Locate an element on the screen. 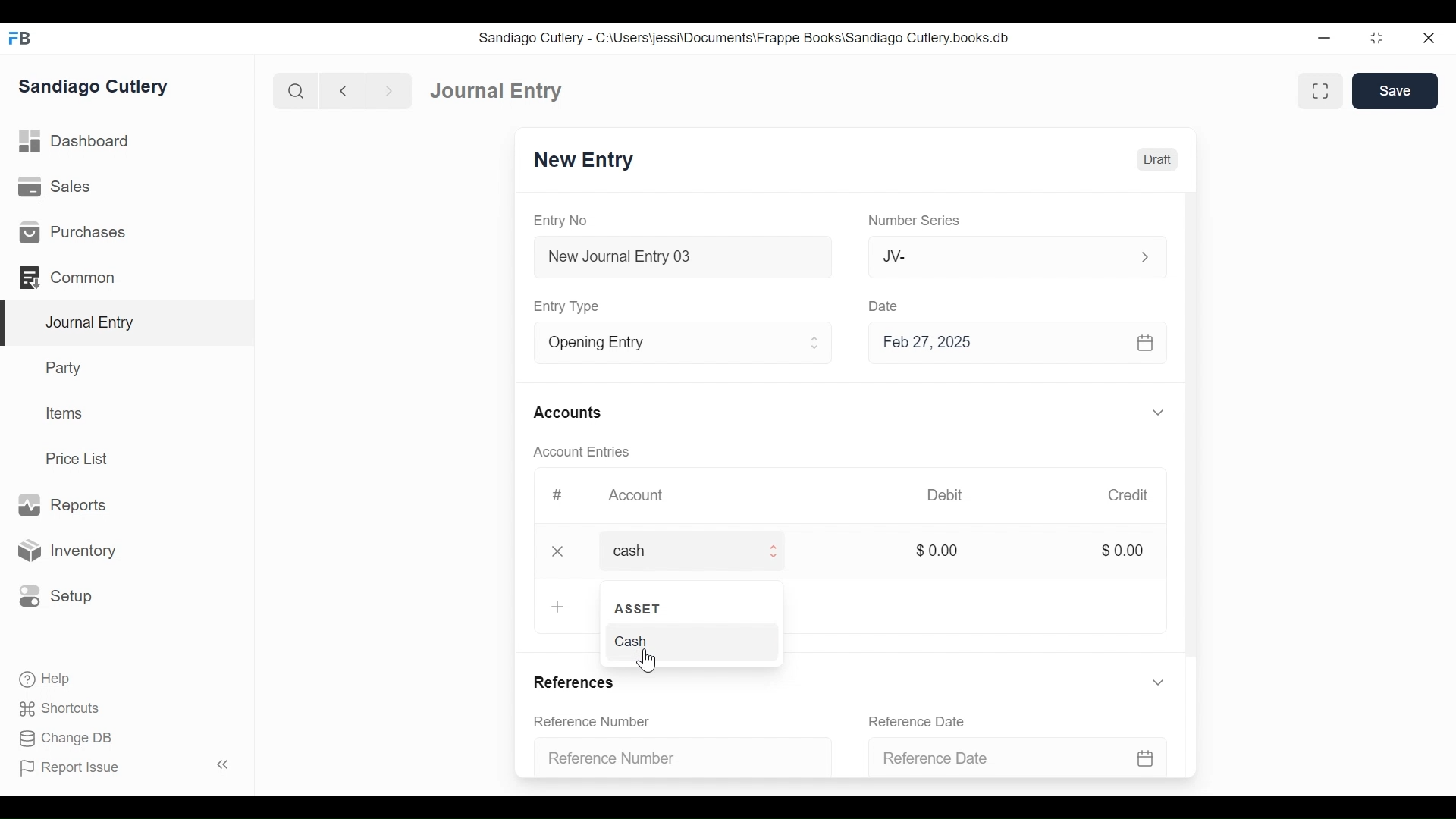 The height and width of the screenshot is (819, 1456). ASSET is located at coordinates (639, 609).